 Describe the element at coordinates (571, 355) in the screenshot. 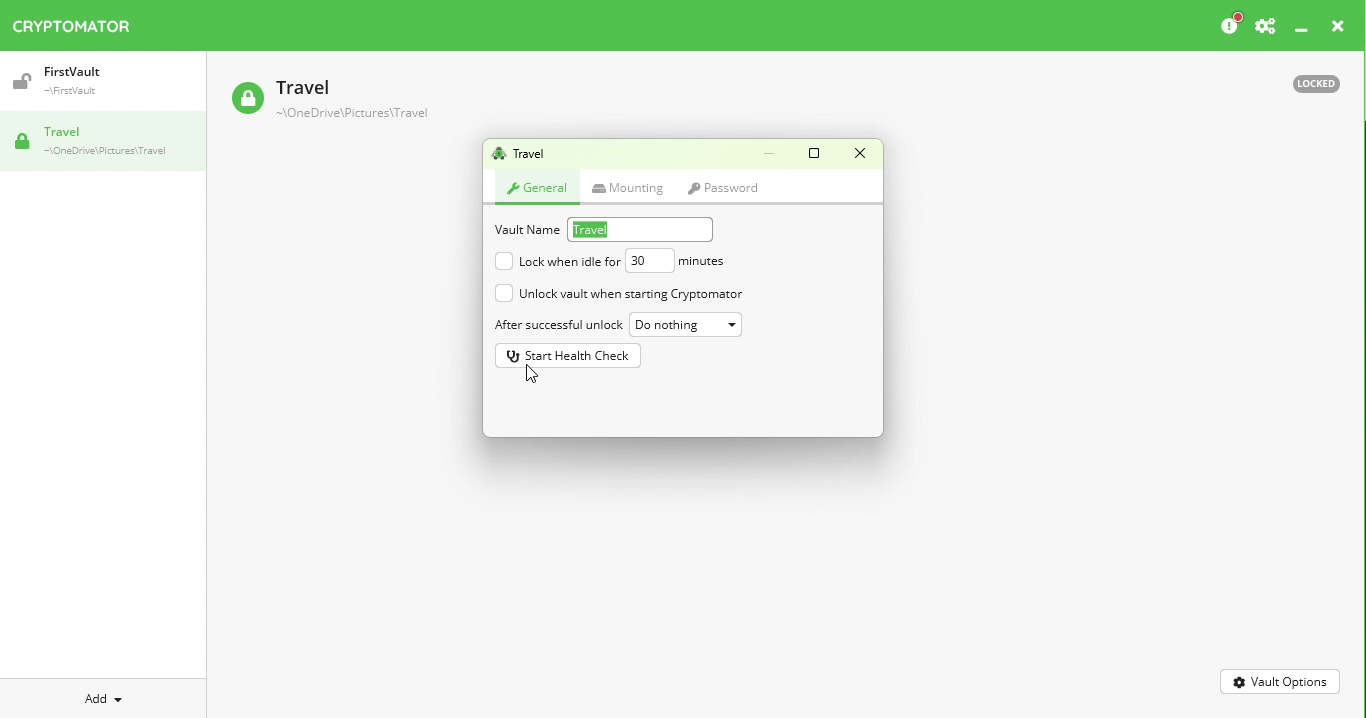

I see `Start health check` at that location.